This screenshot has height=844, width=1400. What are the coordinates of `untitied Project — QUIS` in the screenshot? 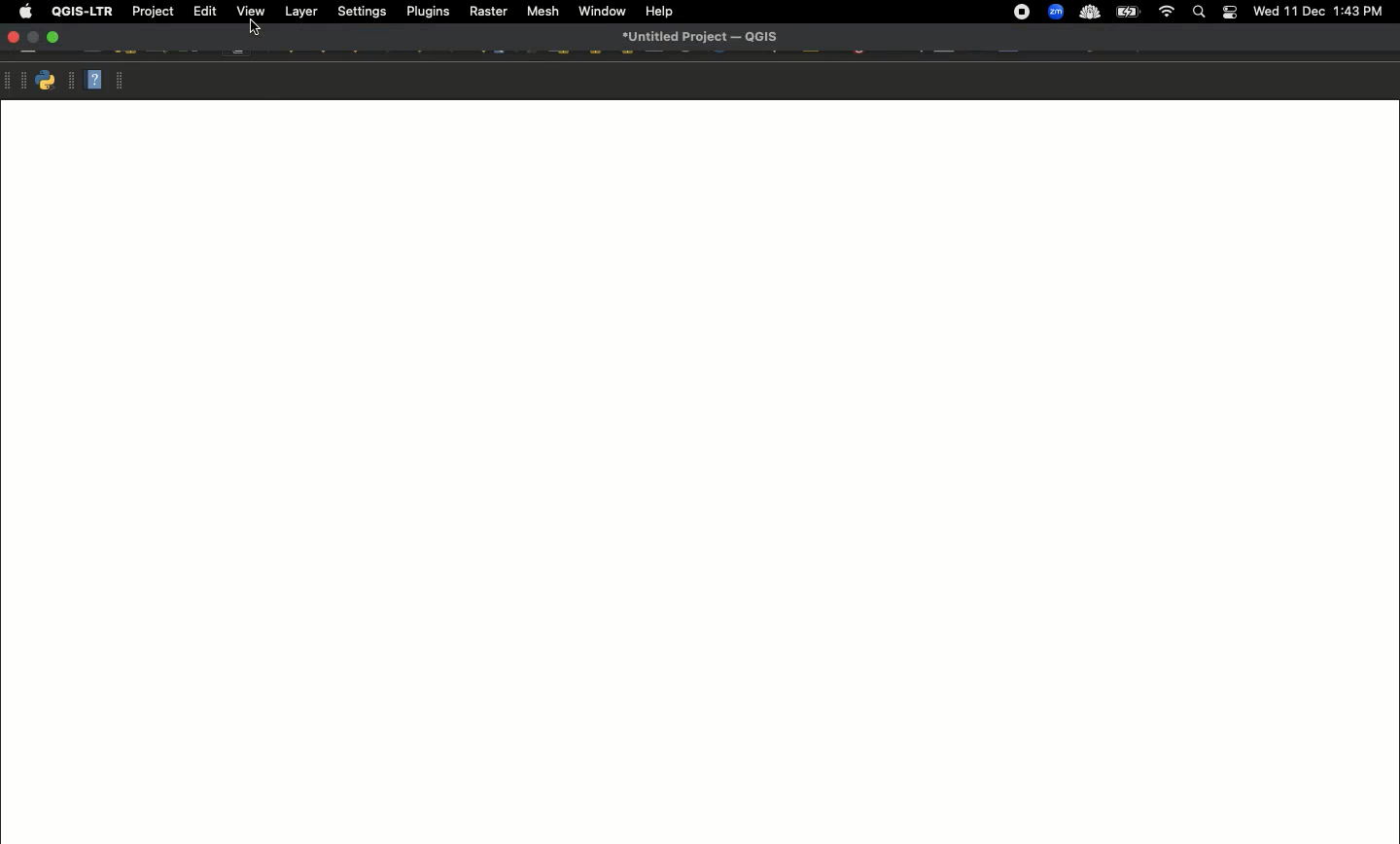 It's located at (701, 36).